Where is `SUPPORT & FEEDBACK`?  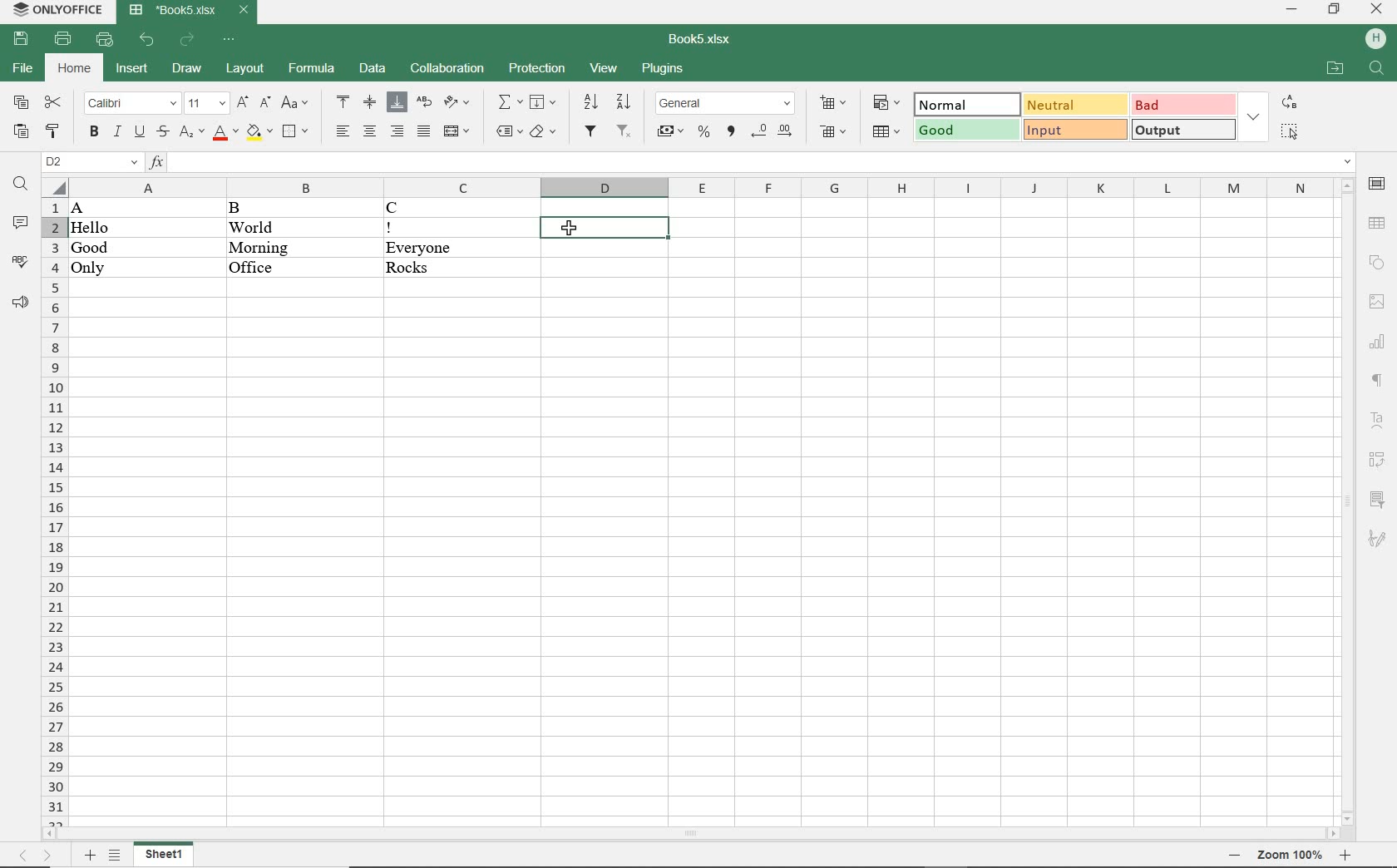 SUPPORT & FEEDBACK is located at coordinates (19, 301).